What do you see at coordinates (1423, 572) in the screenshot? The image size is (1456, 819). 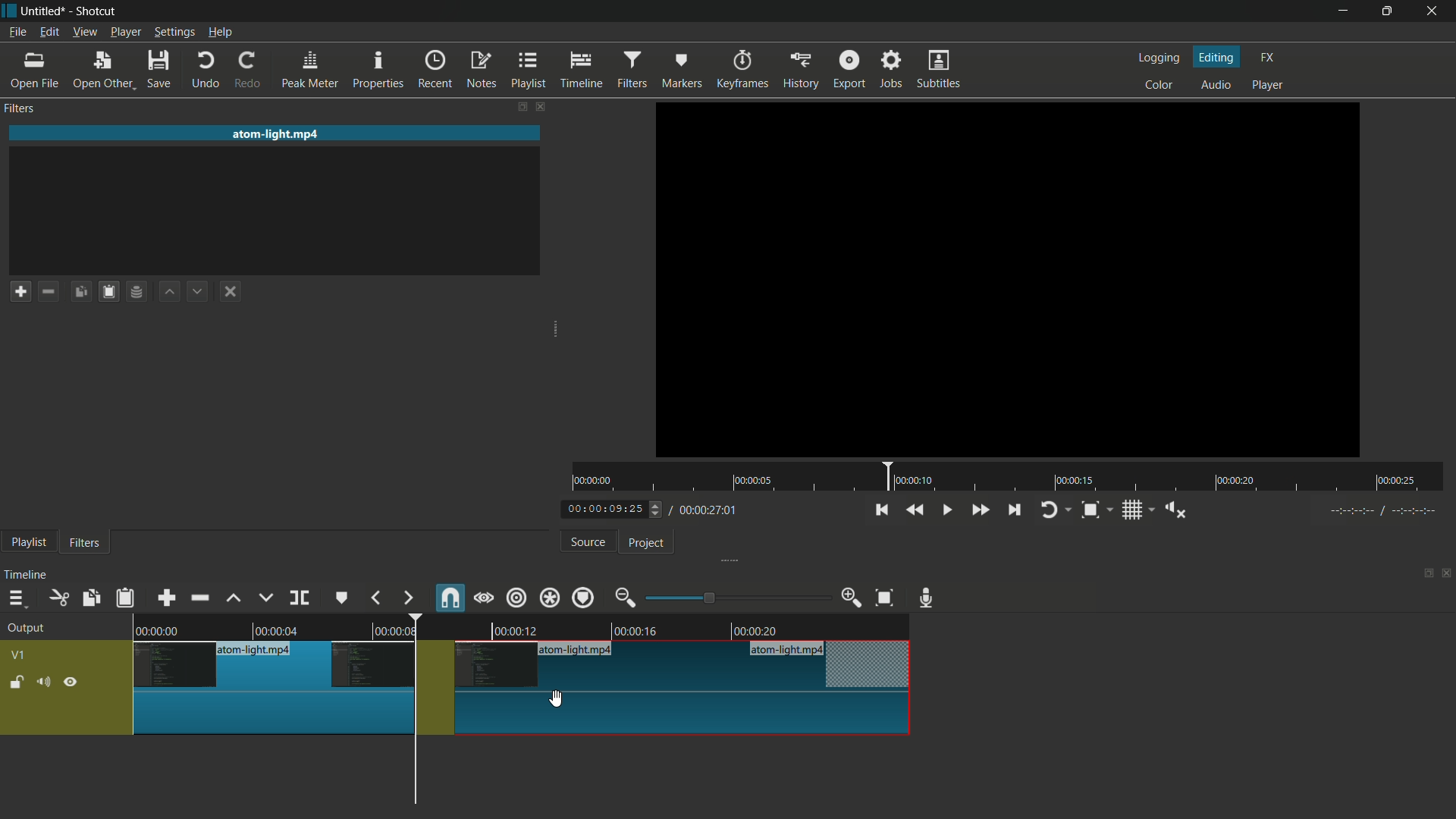 I see `change layout` at bounding box center [1423, 572].